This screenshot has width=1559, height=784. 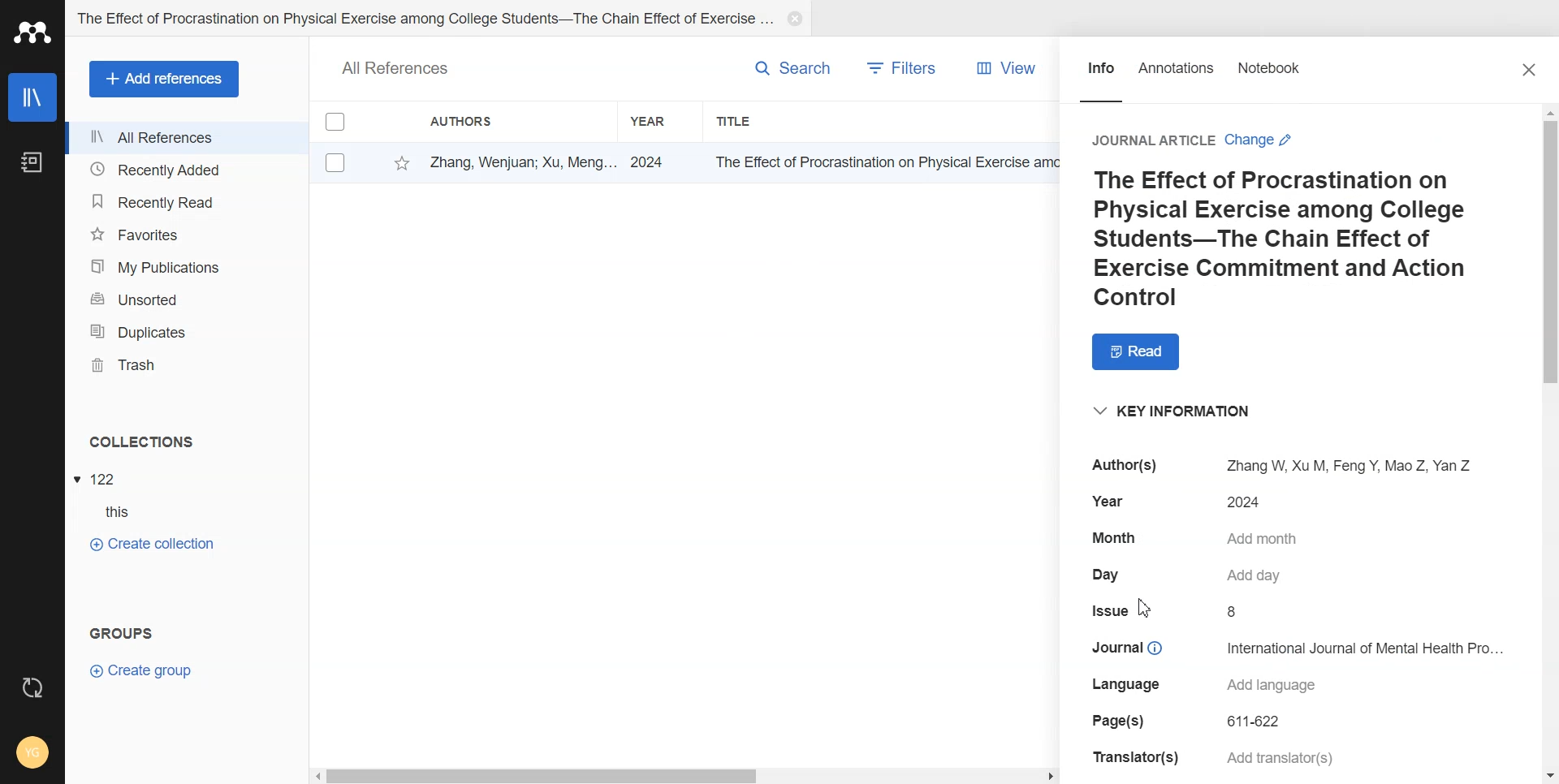 What do you see at coordinates (660, 120) in the screenshot?
I see `Year` at bounding box center [660, 120].